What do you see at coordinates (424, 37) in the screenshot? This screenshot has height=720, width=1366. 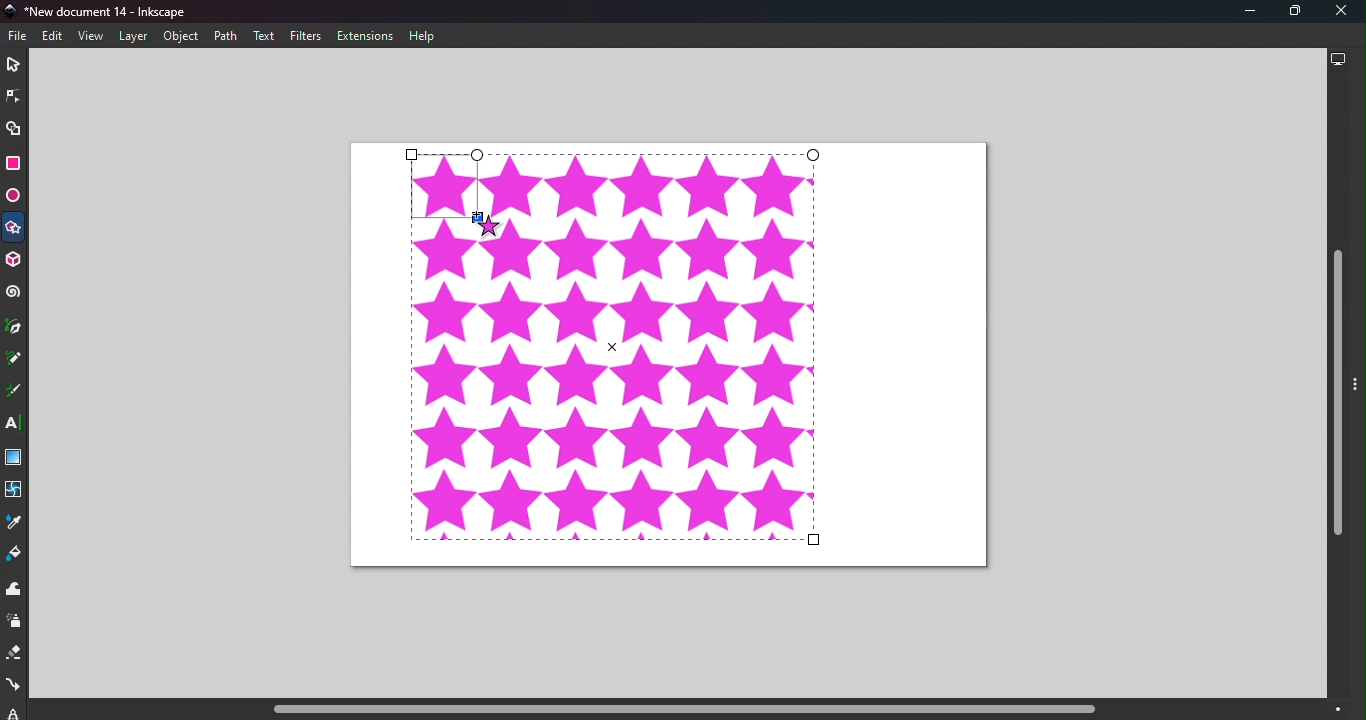 I see `Help` at bounding box center [424, 37].